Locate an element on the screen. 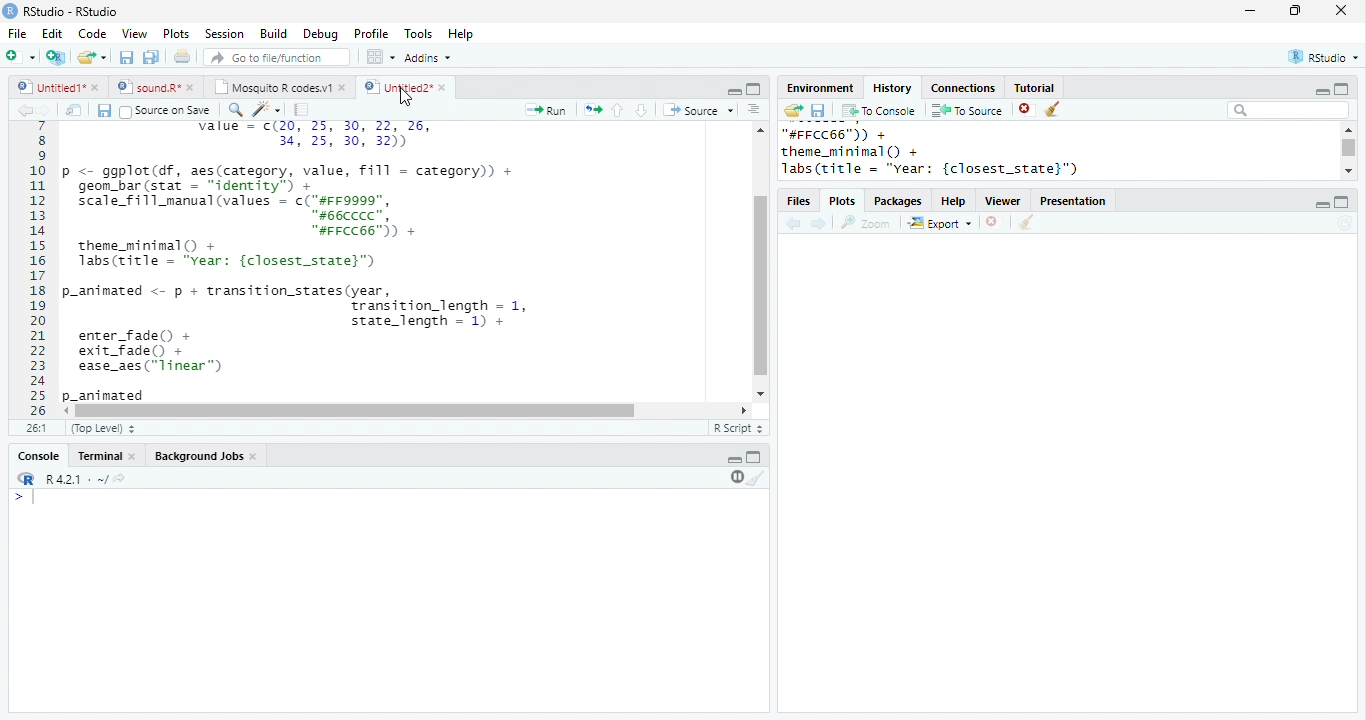 This screenshot has height=720, width=1366. pause is located at coordinates (735, 478).